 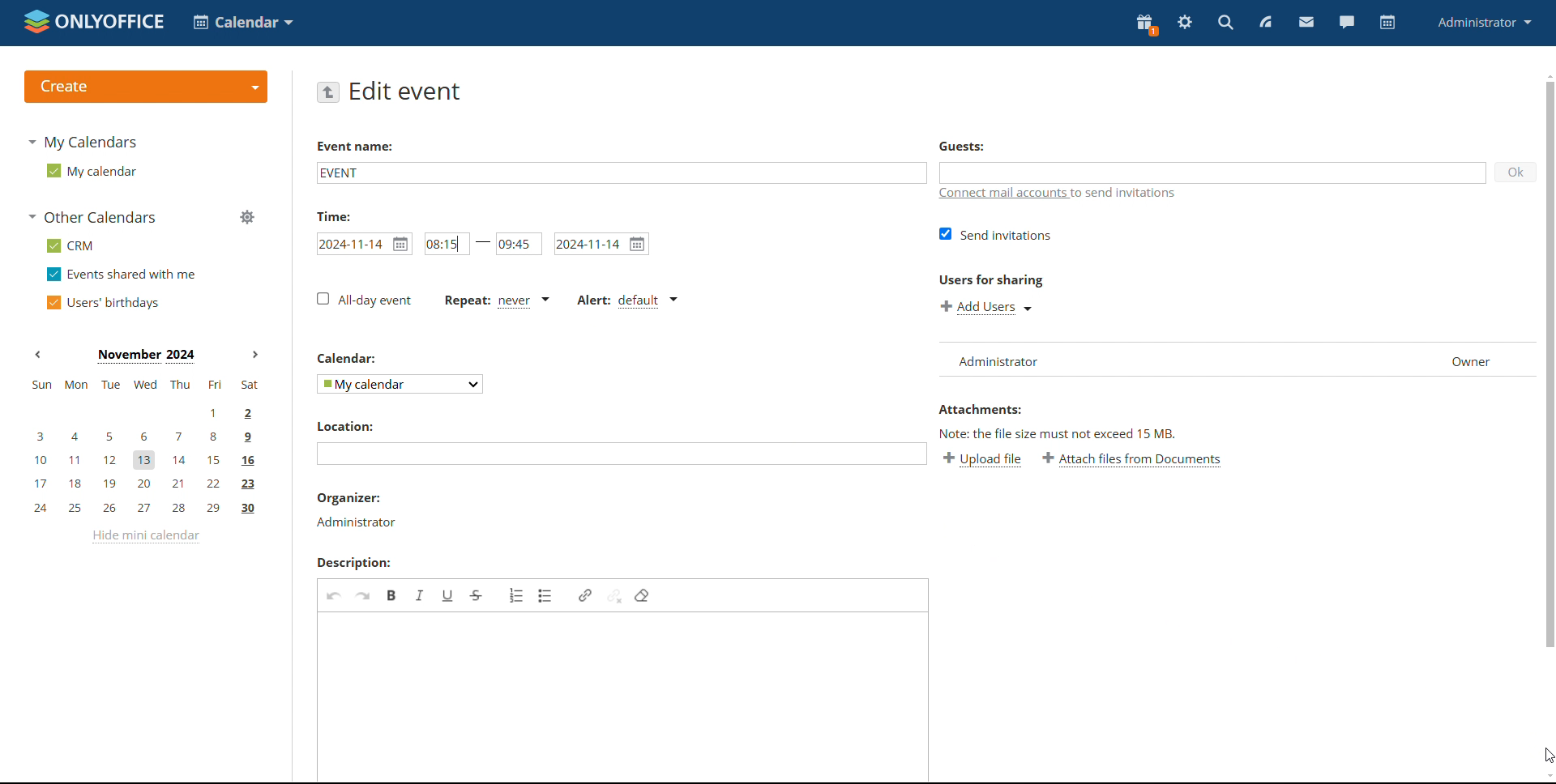 I want to click on bold, so click(x=392, y=595).